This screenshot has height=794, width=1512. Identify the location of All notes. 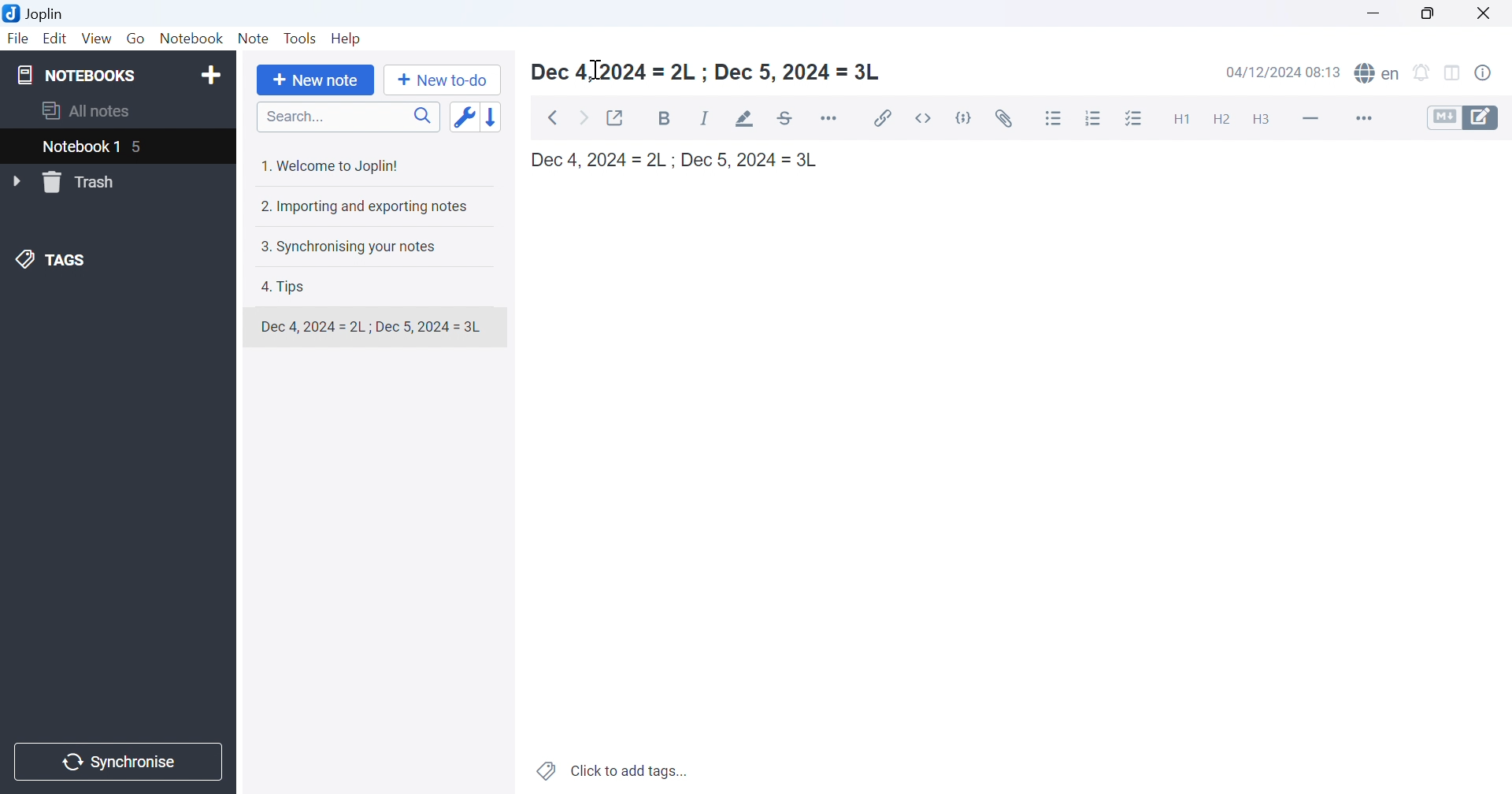
(91, 110).